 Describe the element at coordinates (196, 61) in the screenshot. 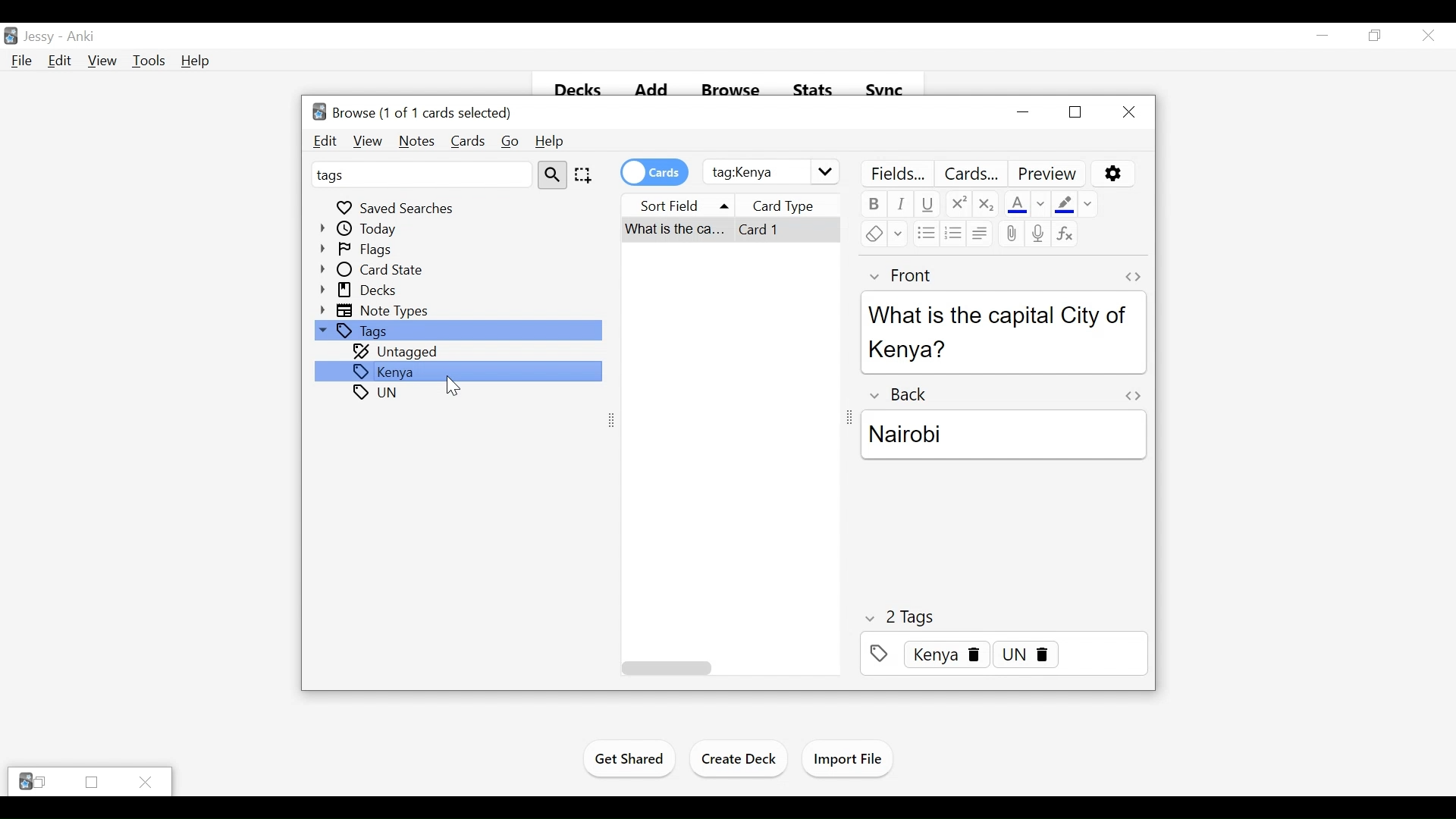

I see `Help` at that location.